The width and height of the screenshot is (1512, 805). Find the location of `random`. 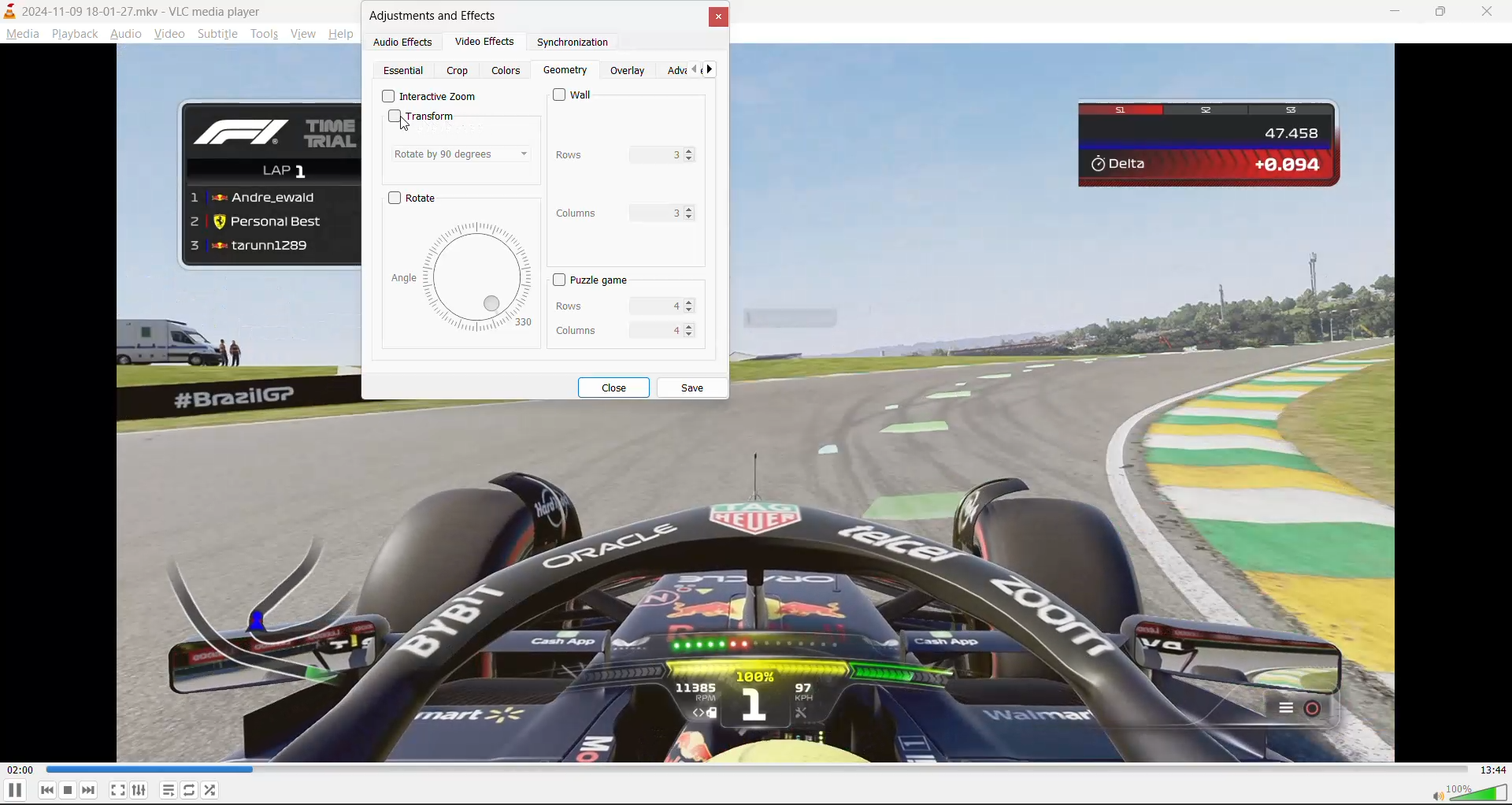

random is located at coordinates (211, 789).